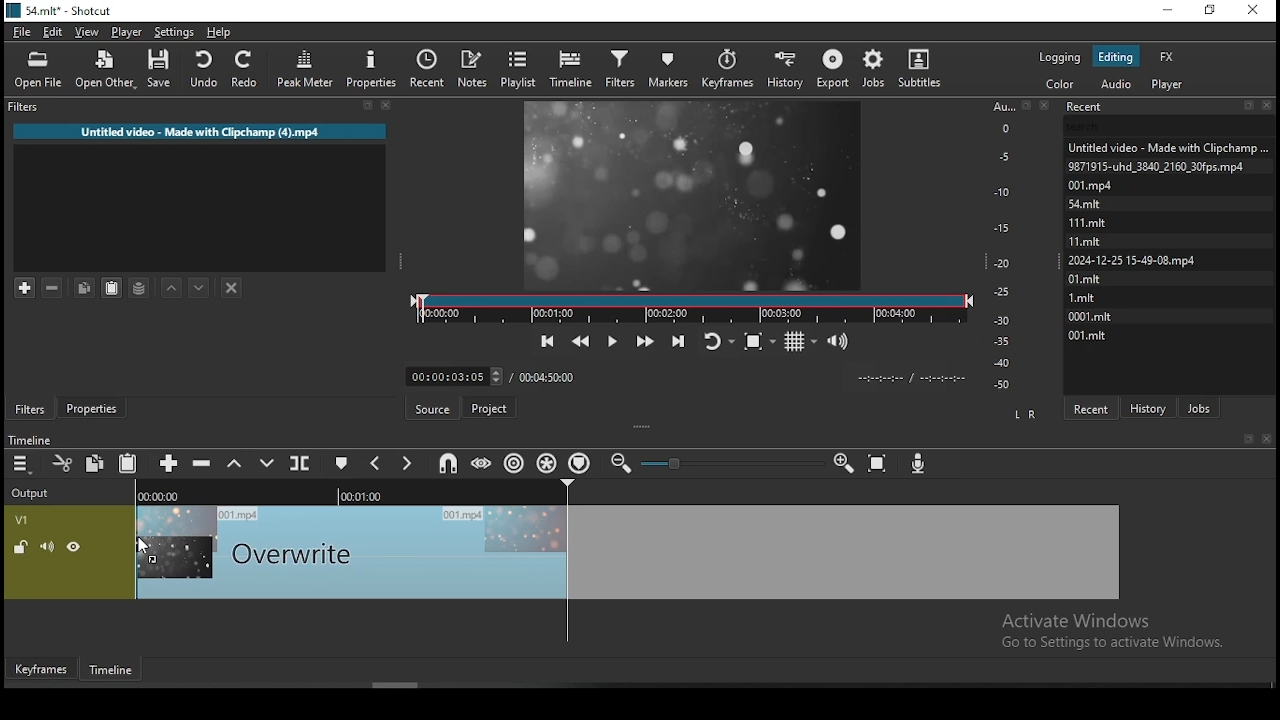 The width and height of the screenshot is (1280, 720). I want to click on Filter, so click(198, 106).